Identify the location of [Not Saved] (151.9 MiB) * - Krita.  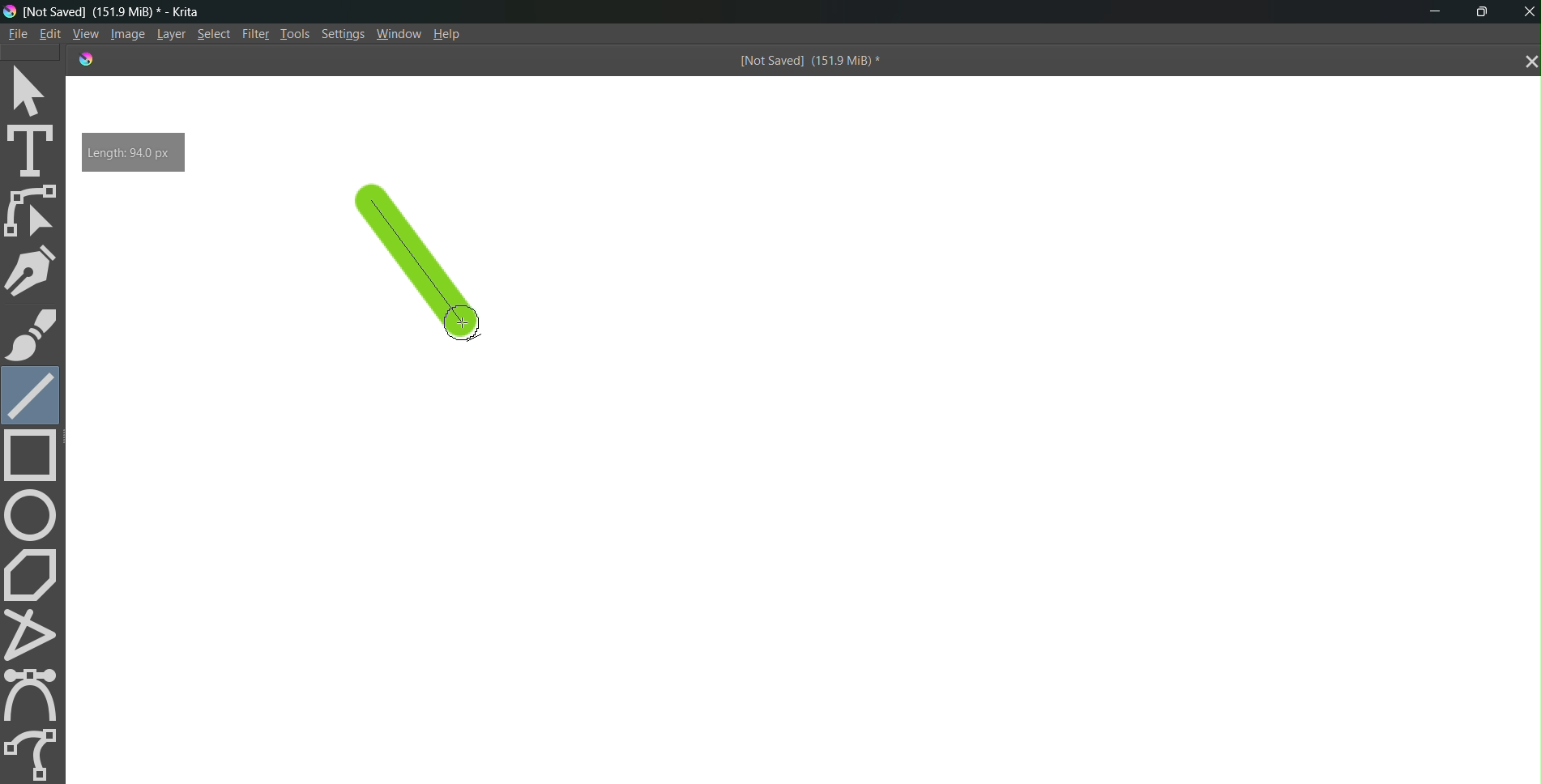
(122, 11).